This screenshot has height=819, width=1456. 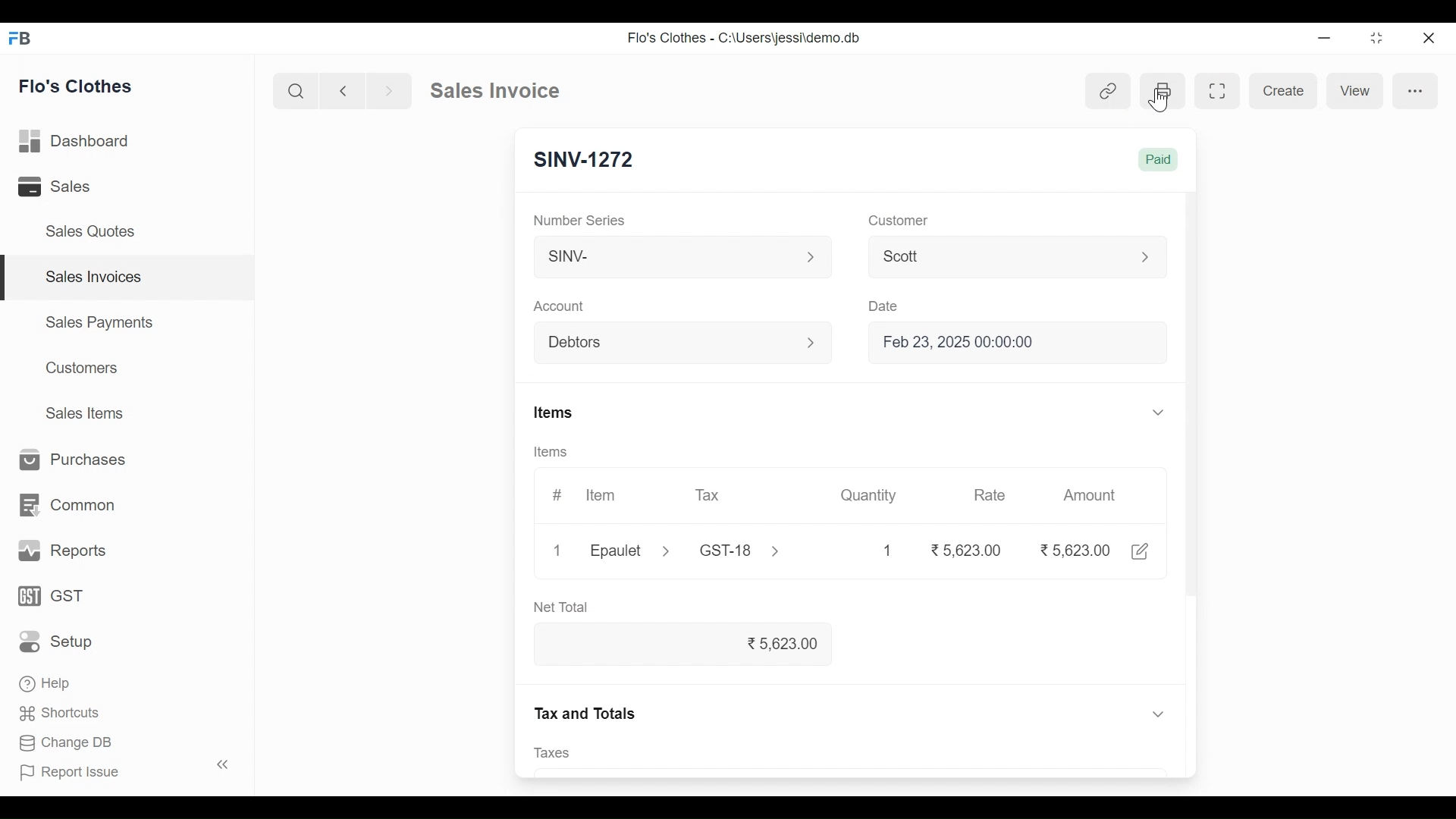 What do you see at coordinates (665, 255) in the screenshot?
I see `SINV-` at bounding box center [665, 255].